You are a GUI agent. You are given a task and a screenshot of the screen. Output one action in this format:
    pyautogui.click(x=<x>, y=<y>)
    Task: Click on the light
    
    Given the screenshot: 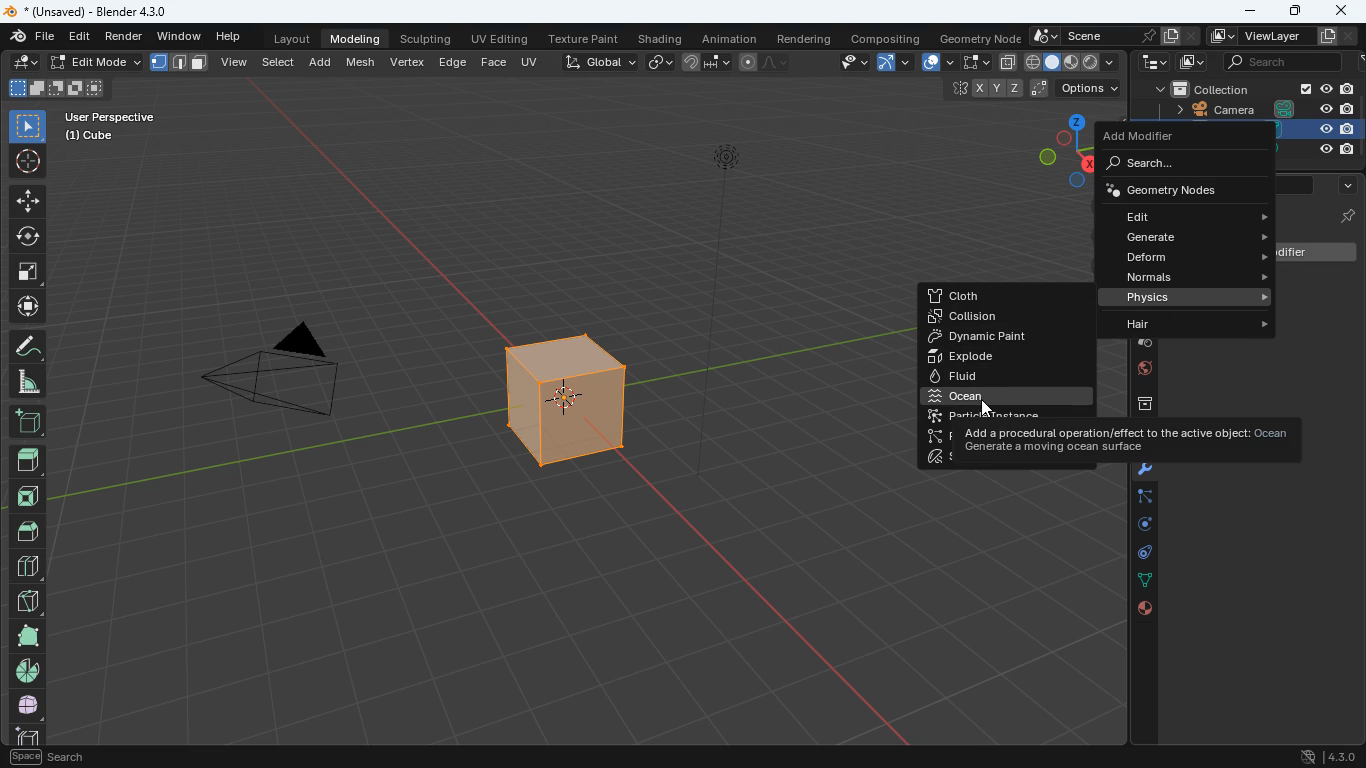 What is the action you would take?
    pyautogui.click(x=727, y=216)
    